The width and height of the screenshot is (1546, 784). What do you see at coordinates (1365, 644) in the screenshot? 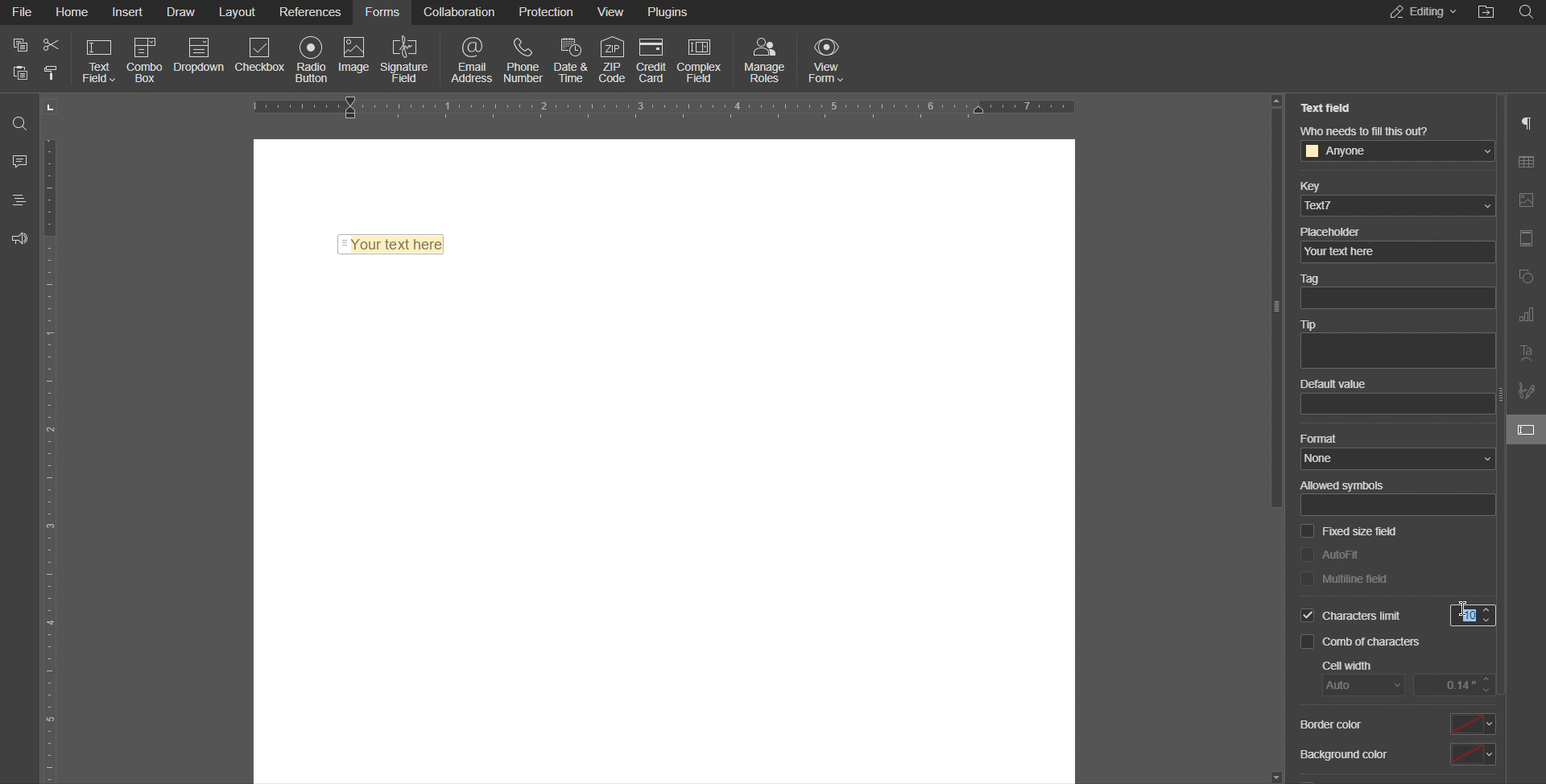
I see `Comb of characters` at bounding box center [1365, 644].